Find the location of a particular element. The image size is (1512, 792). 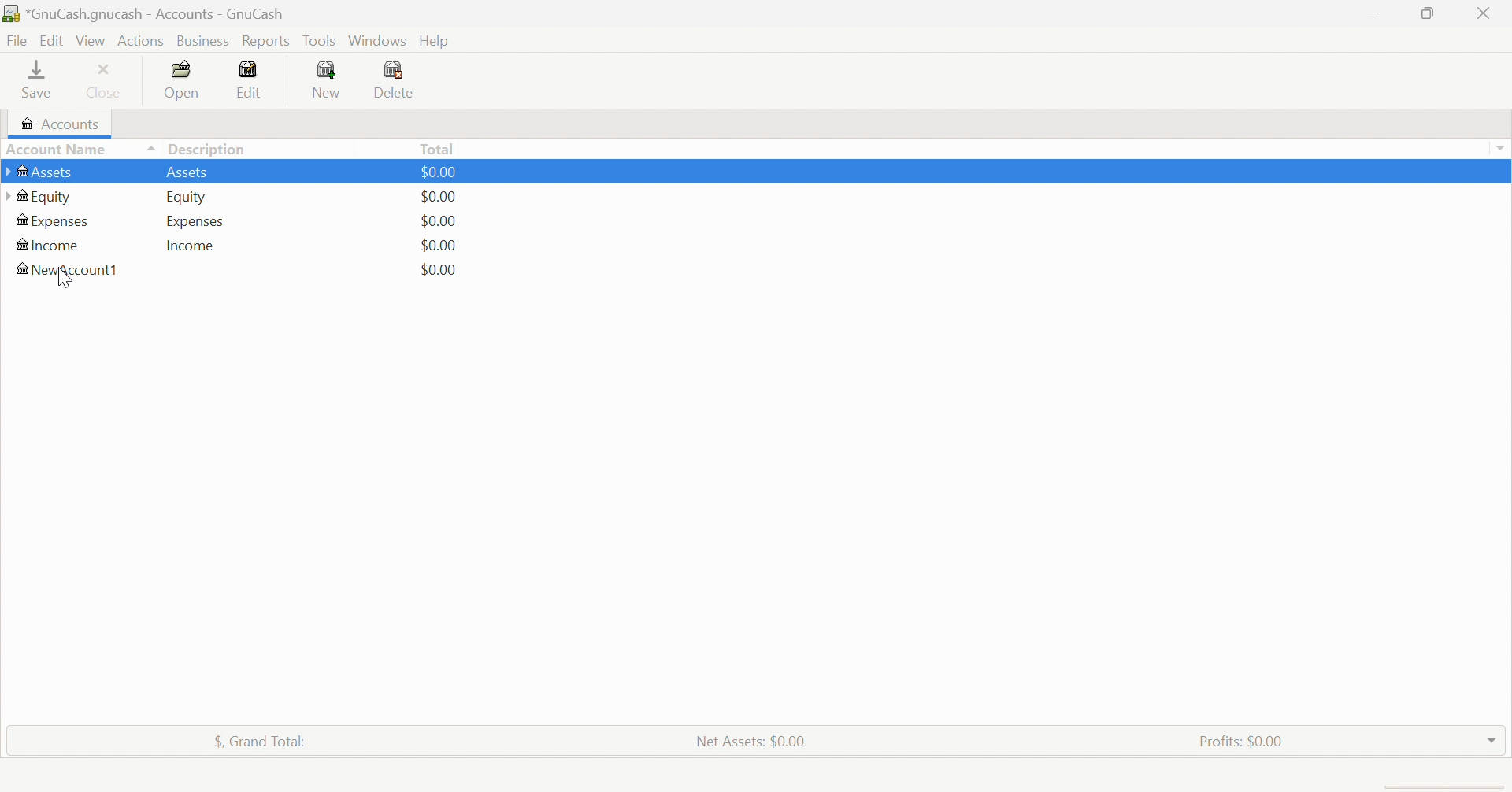

Assets is located at coordinates (43, 172).